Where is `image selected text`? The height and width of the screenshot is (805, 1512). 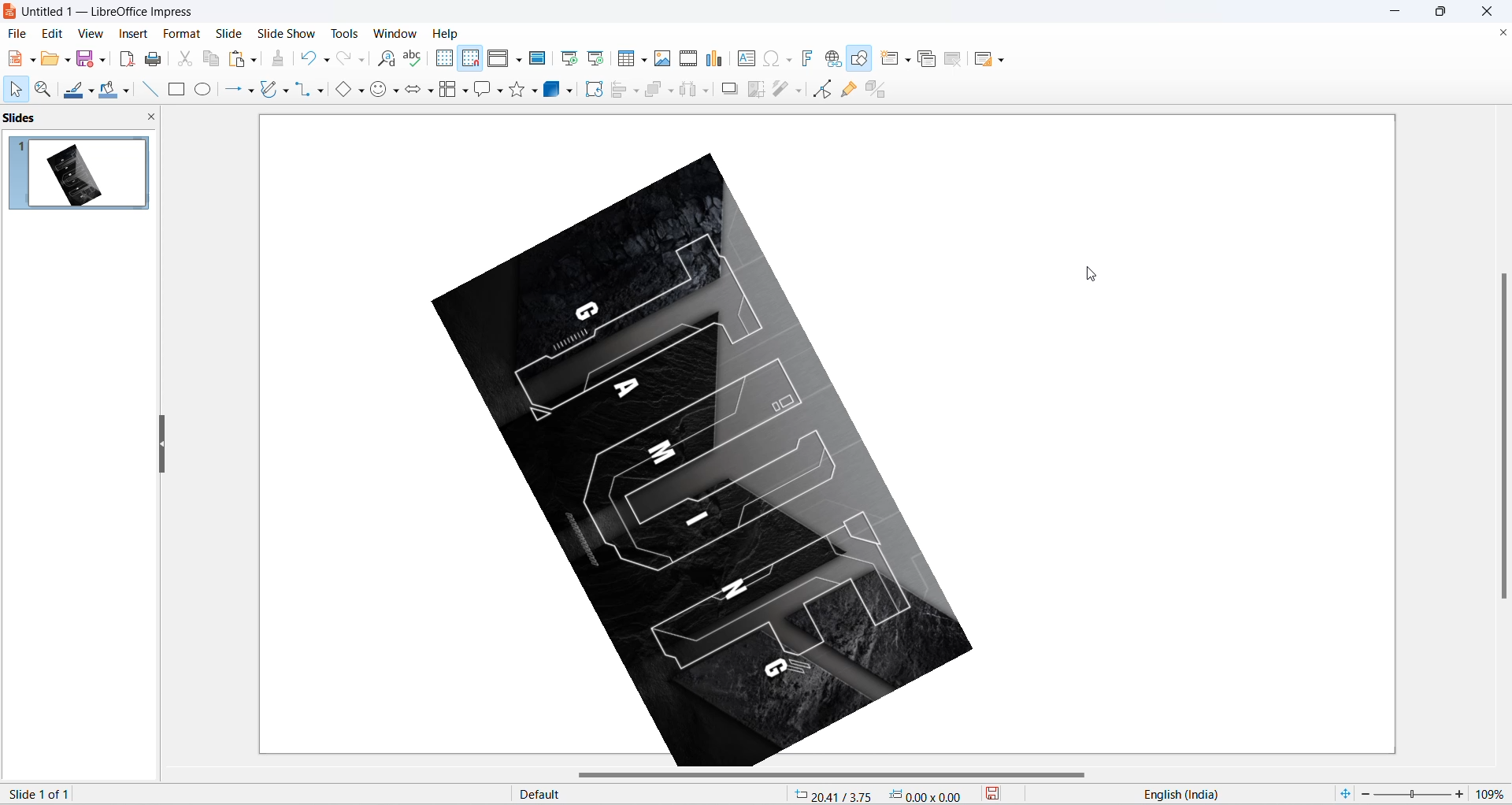 image selected text is located at coordinates (124, 793).